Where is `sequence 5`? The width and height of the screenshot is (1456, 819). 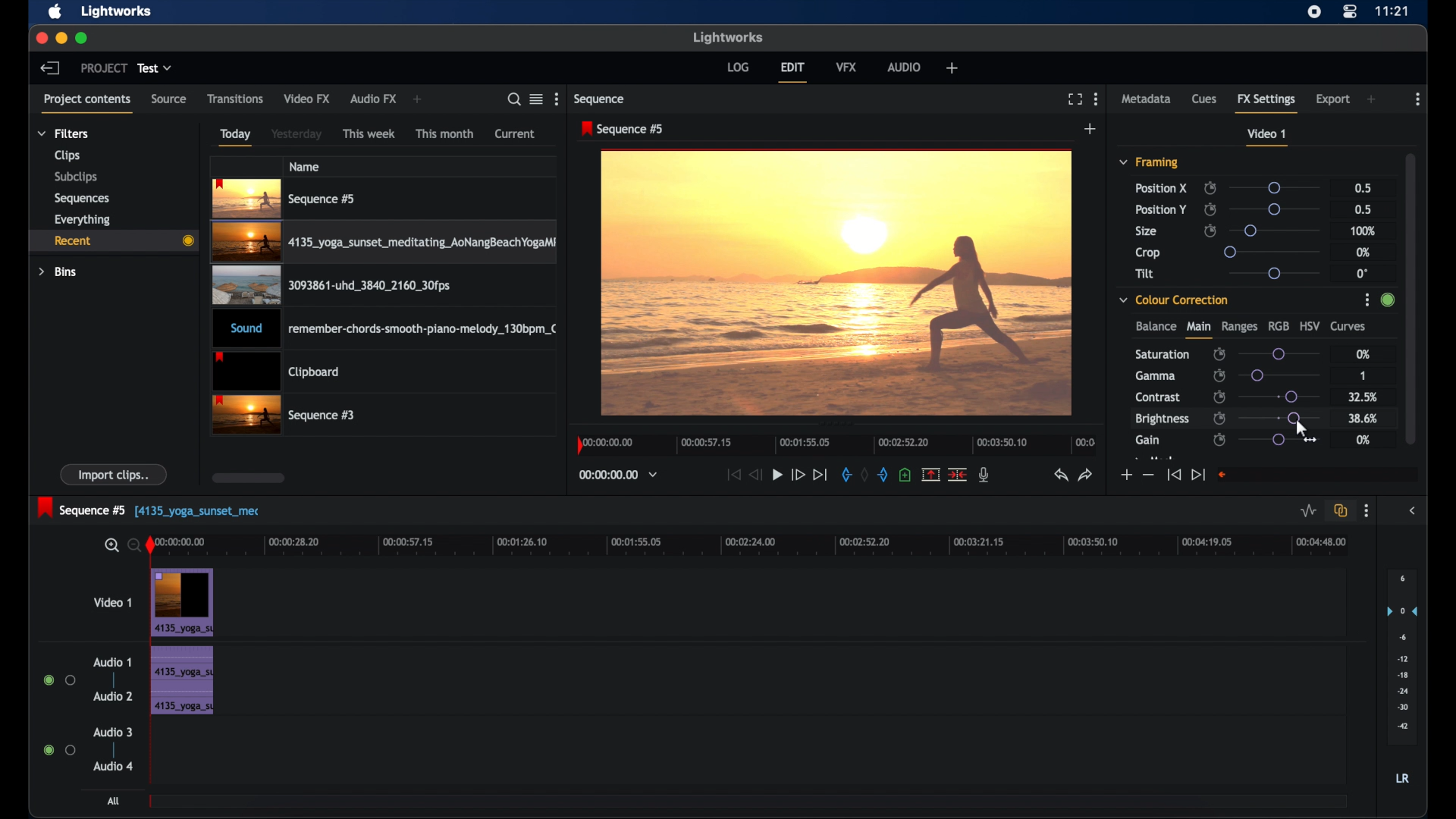
sequence 5 is located at coordinates (149, 509).